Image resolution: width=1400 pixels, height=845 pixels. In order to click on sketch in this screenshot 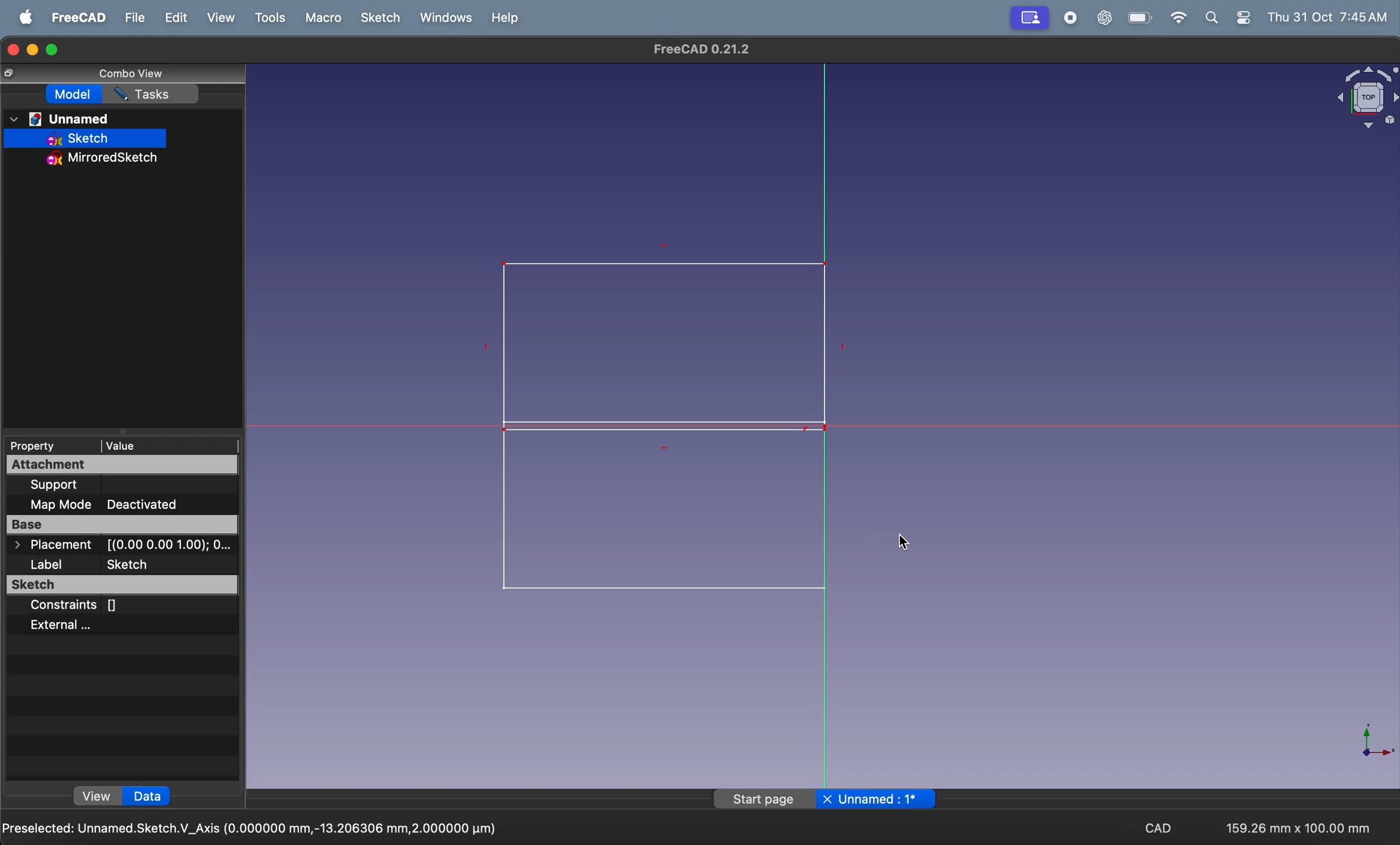, I will do `click(63, 137)`.